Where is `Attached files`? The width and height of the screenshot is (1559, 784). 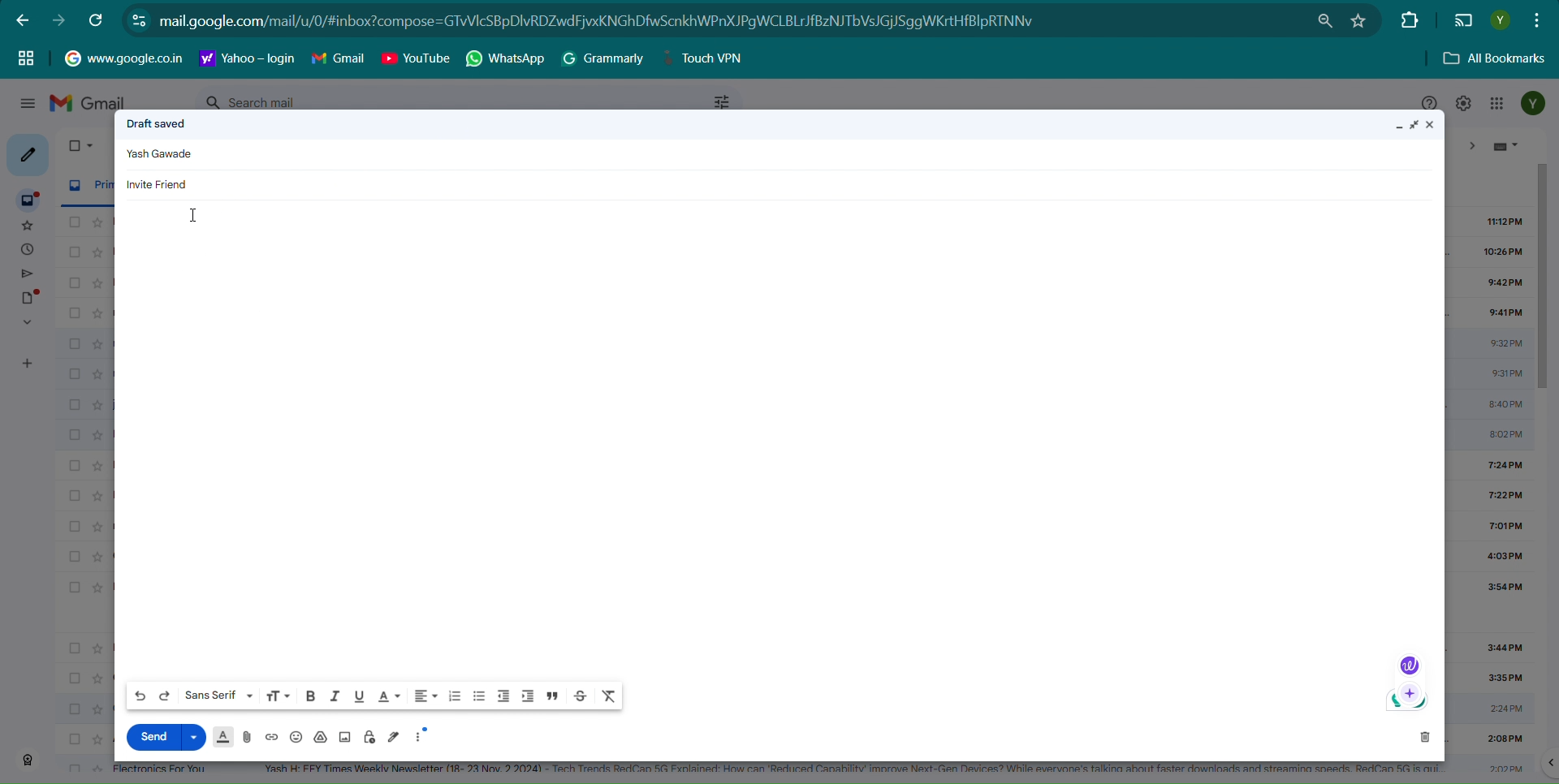 Attached files is located at coordinates (248, 737).